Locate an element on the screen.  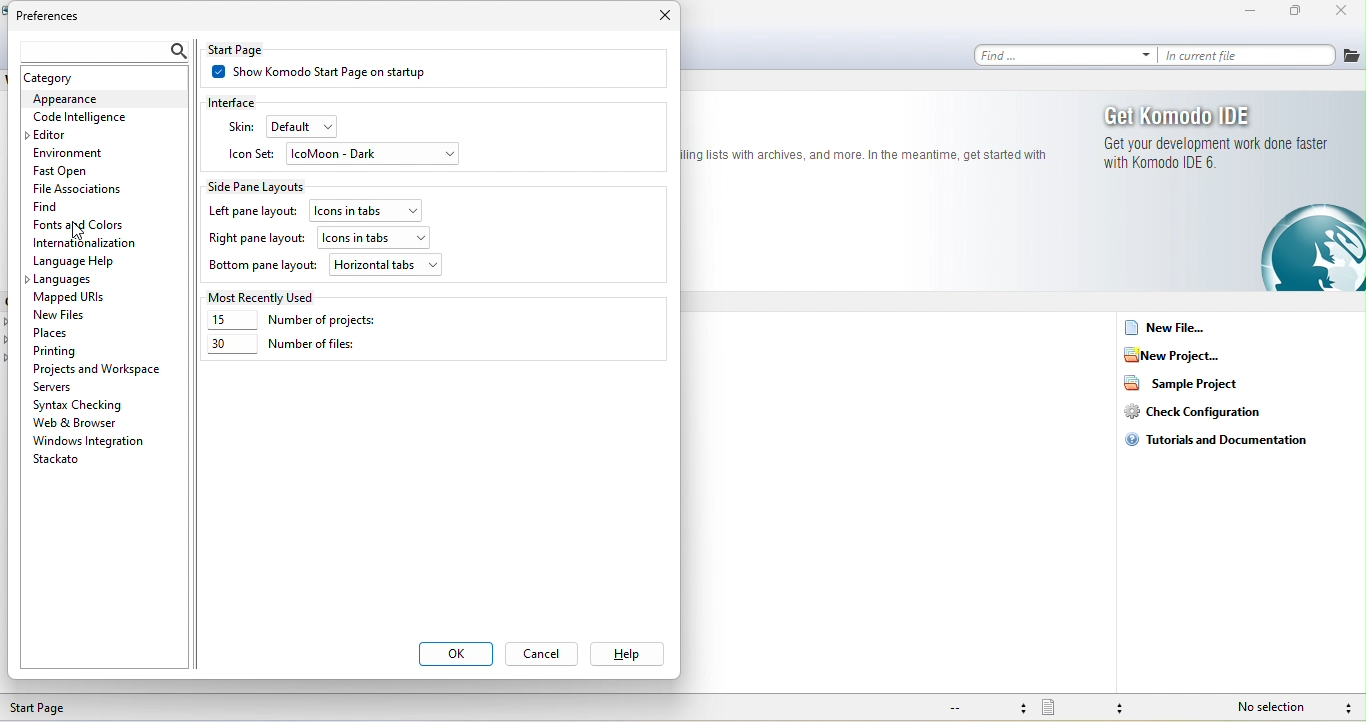
editor is located at coordinates (53, 135).